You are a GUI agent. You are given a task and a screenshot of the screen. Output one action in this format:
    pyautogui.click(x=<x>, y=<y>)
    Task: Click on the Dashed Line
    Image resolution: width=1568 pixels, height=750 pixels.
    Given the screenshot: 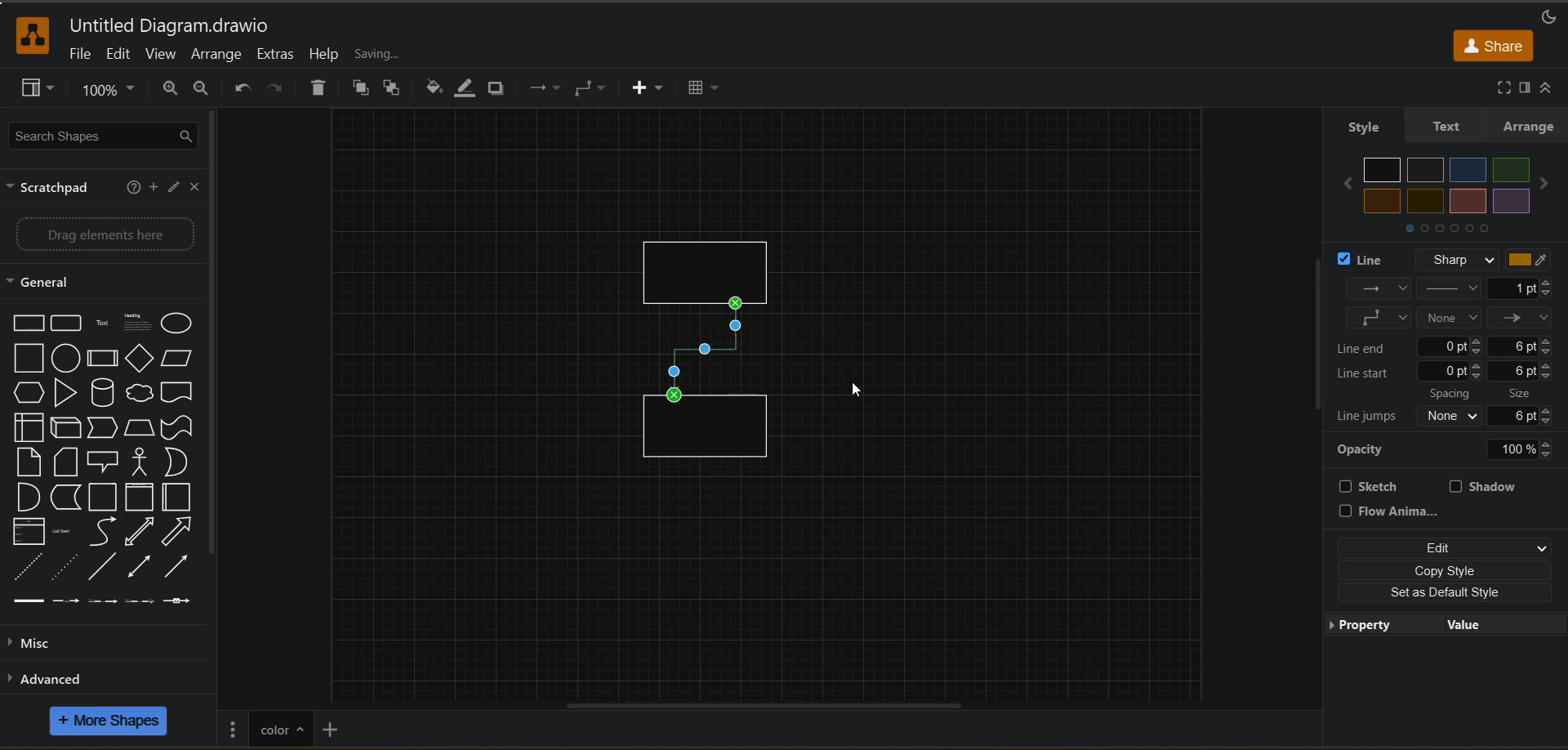 What is the action you would take?
    pyautogui.click(x=24, y=567)
    